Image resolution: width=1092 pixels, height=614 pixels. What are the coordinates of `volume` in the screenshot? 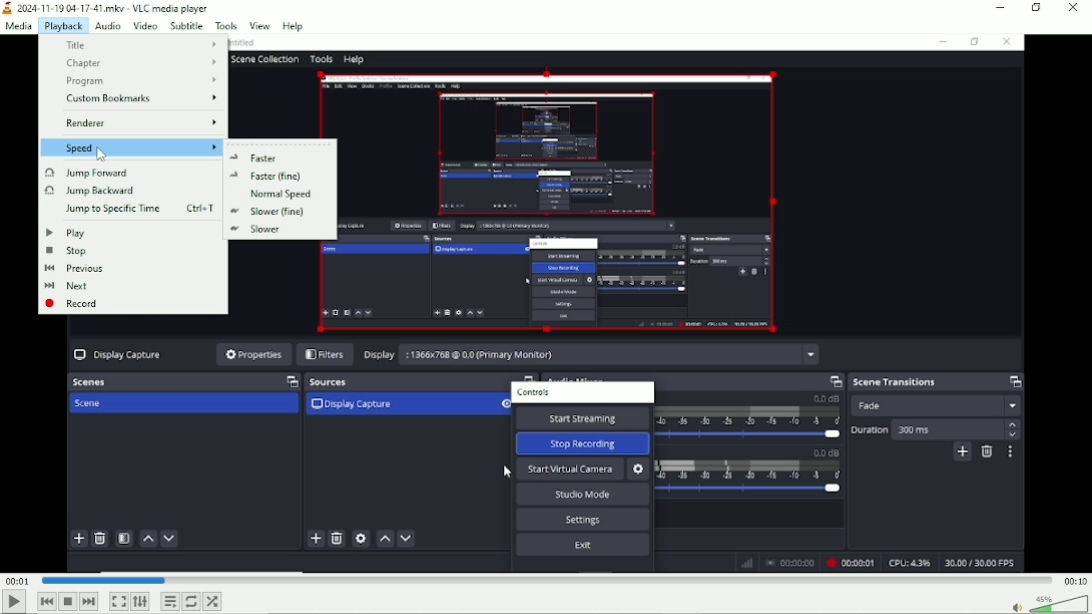 It's located at (1048, 603).